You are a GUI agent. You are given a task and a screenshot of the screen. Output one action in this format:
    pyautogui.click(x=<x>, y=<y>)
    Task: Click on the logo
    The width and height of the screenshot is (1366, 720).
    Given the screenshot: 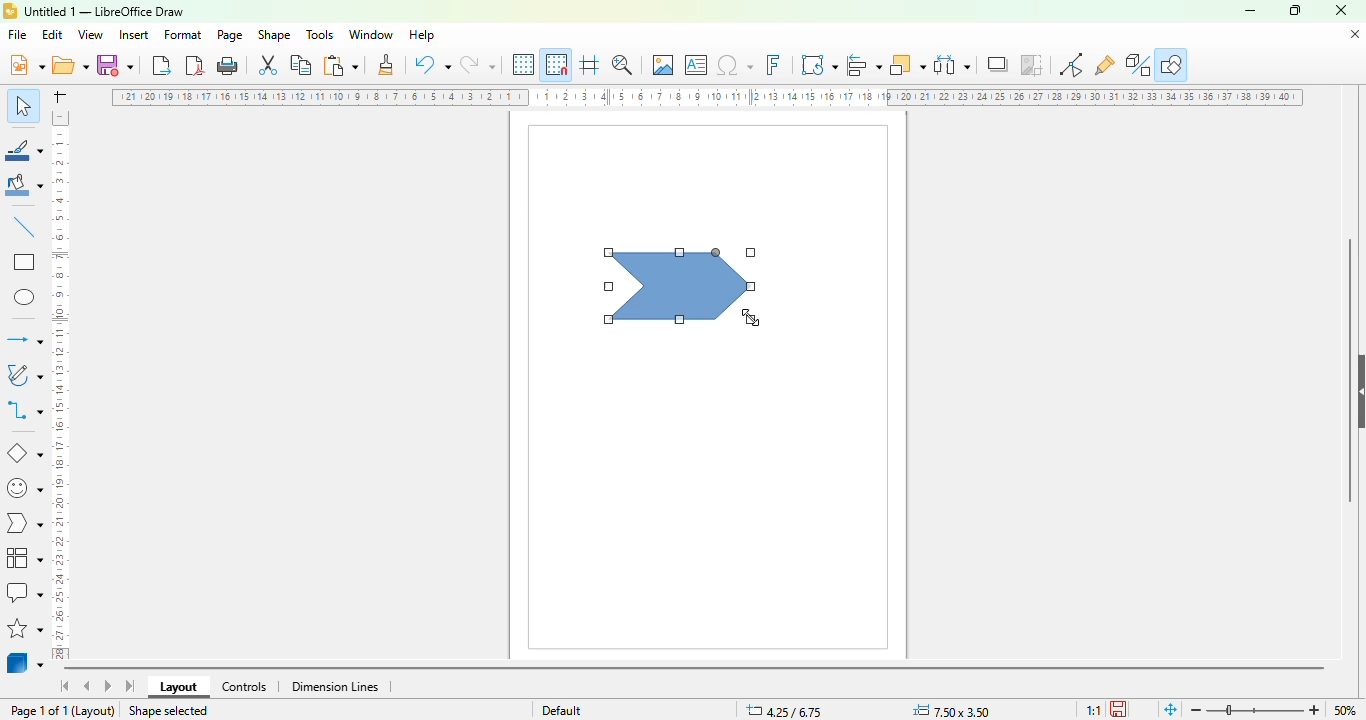 What is the action you would take?
    pyautogui.click(x=10, y=11)
    